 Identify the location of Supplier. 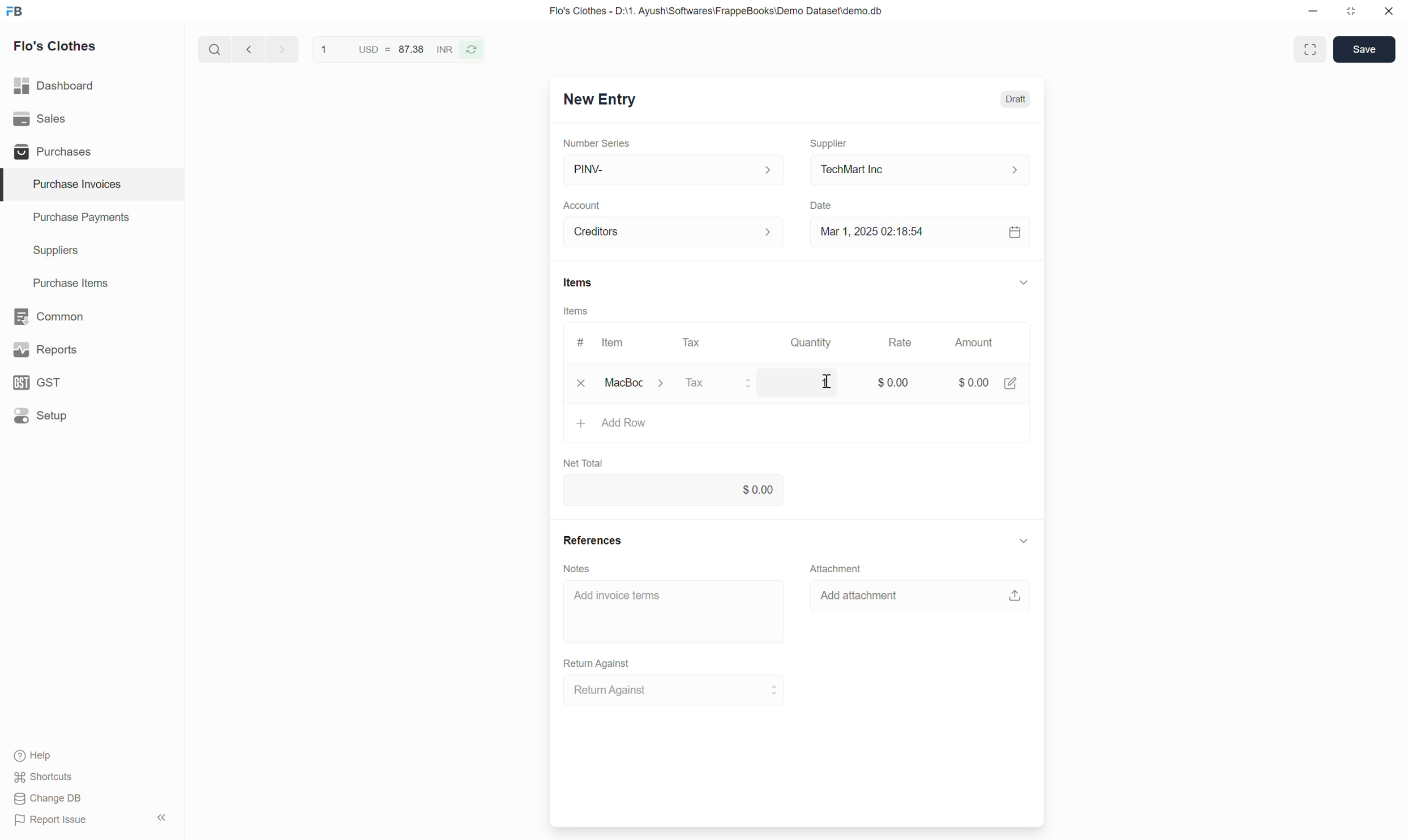
(829, 144).